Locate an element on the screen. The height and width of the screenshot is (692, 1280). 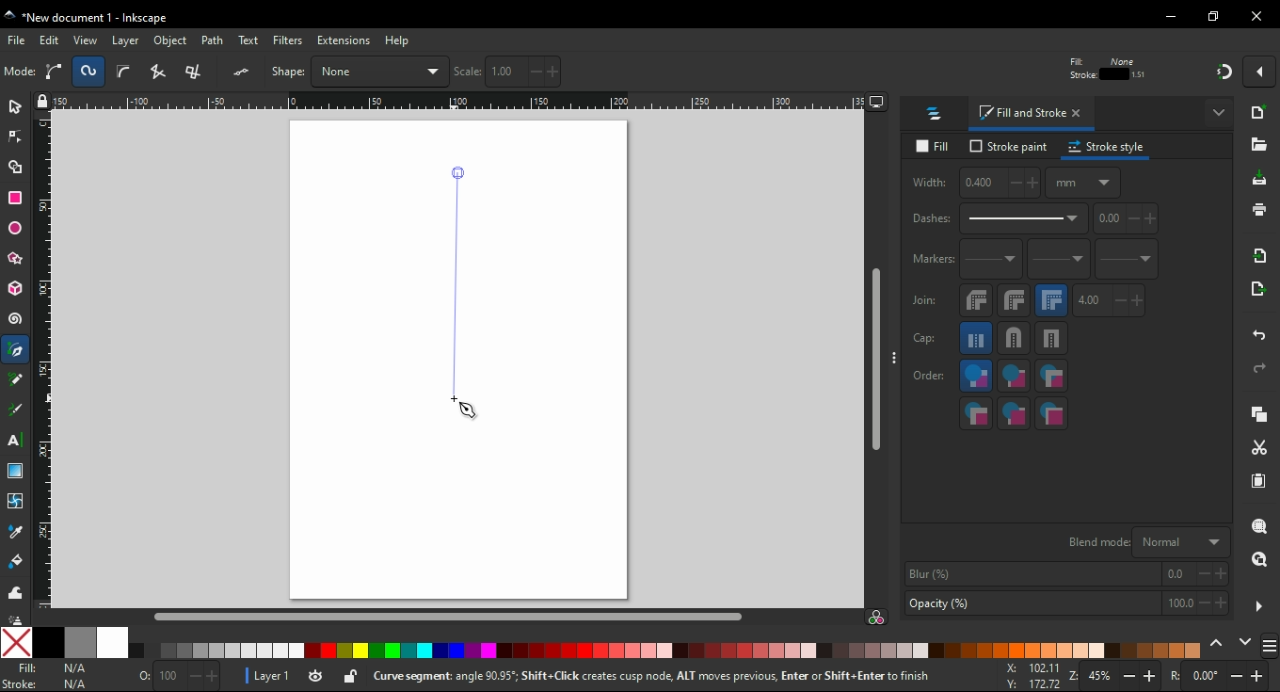
color tone pallete is located at coordinates (599, 649).